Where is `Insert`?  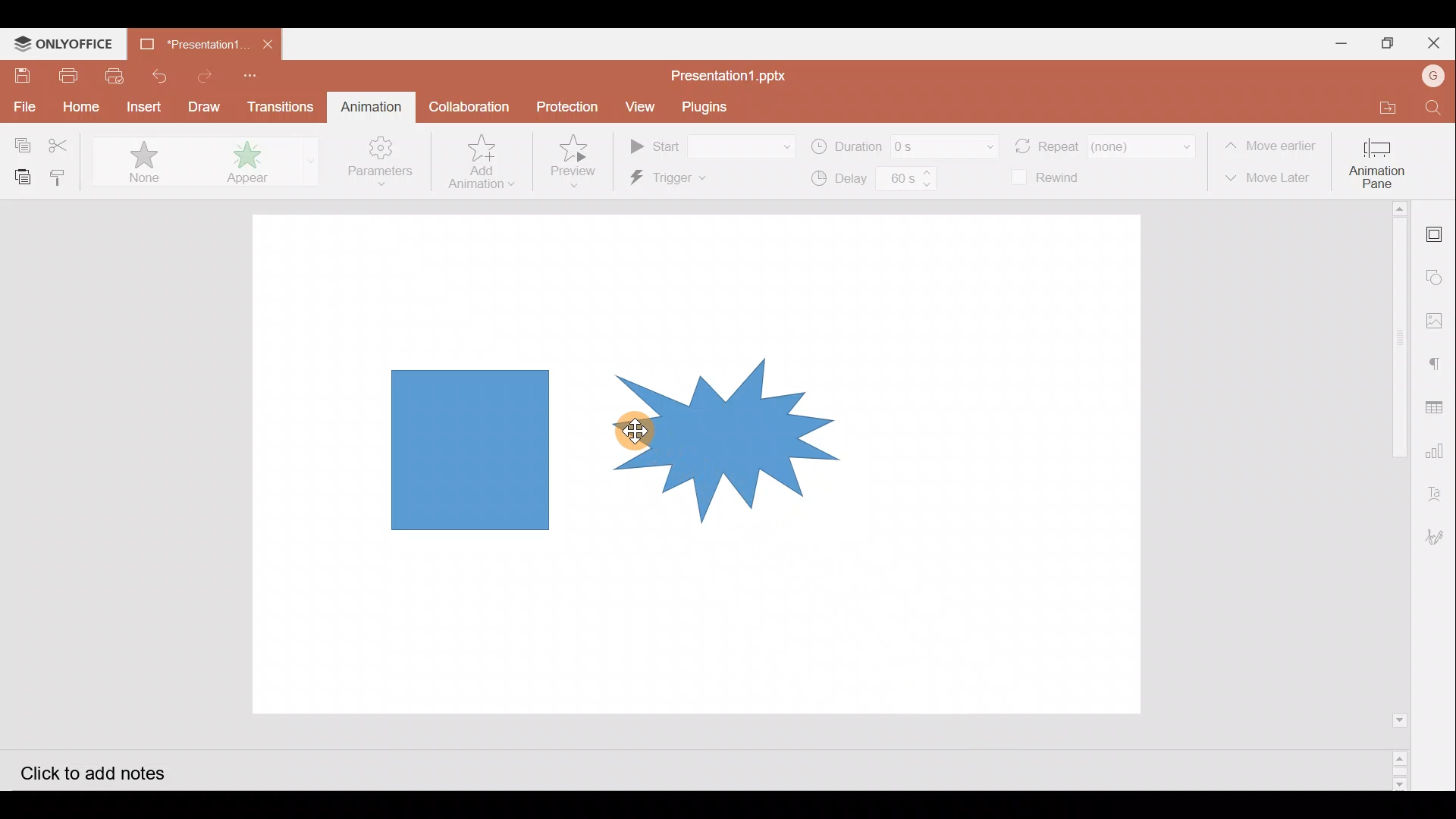
Insert is located at coordinates (140, 106).